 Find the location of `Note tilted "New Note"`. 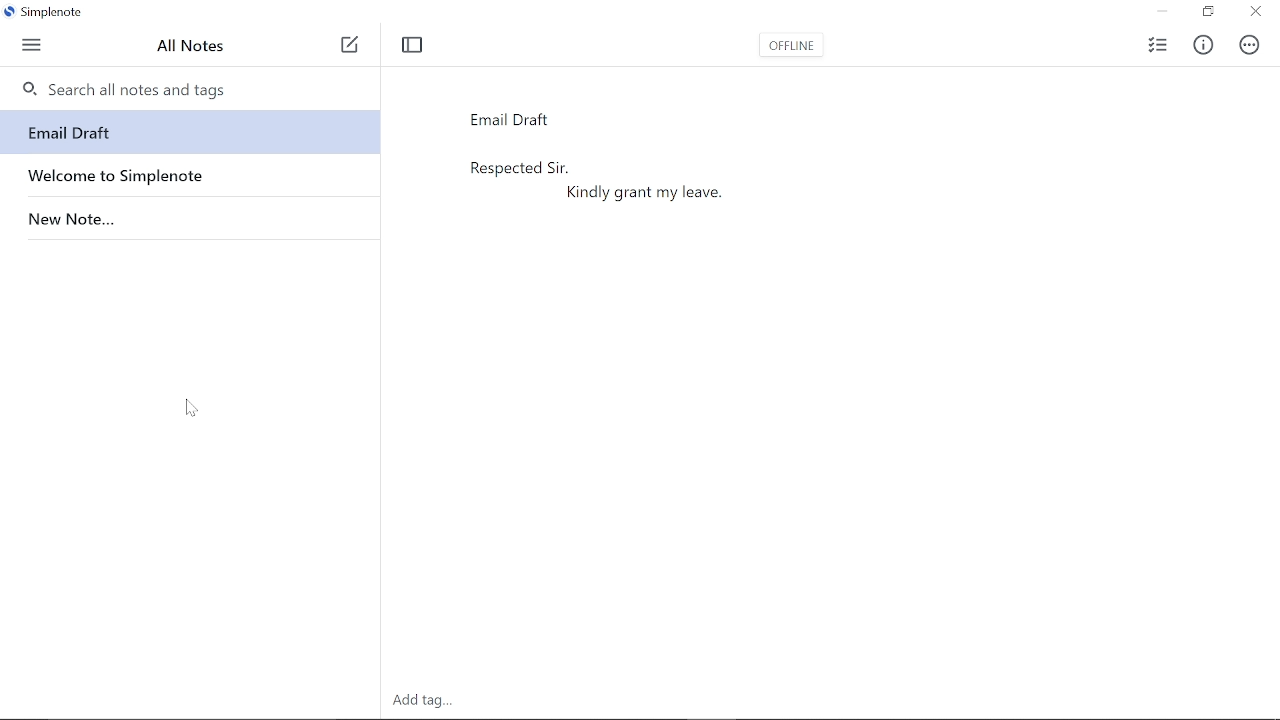

Note tilted "New Note" is located at coordinates (188, 215).